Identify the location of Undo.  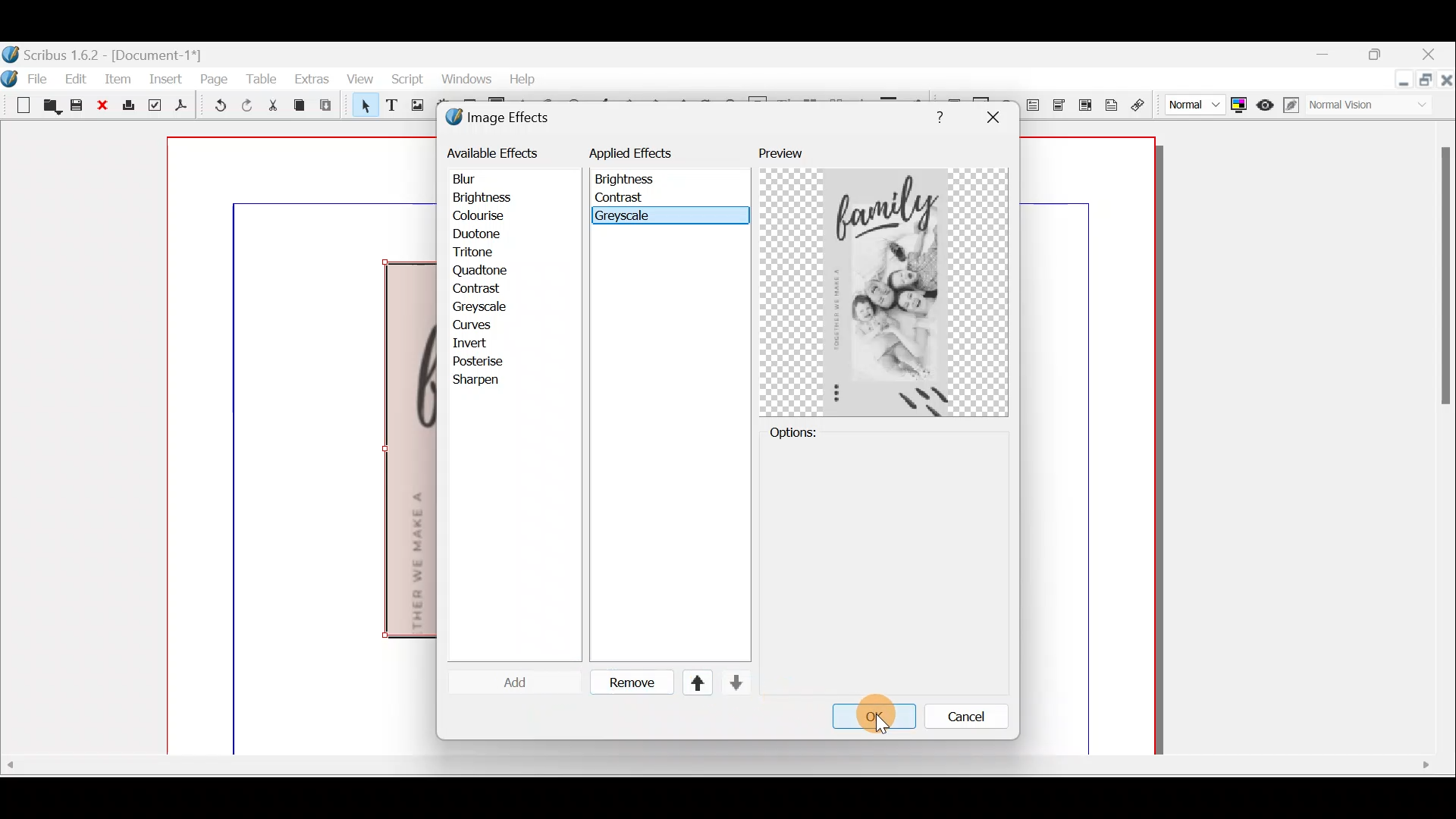
(213, 106).